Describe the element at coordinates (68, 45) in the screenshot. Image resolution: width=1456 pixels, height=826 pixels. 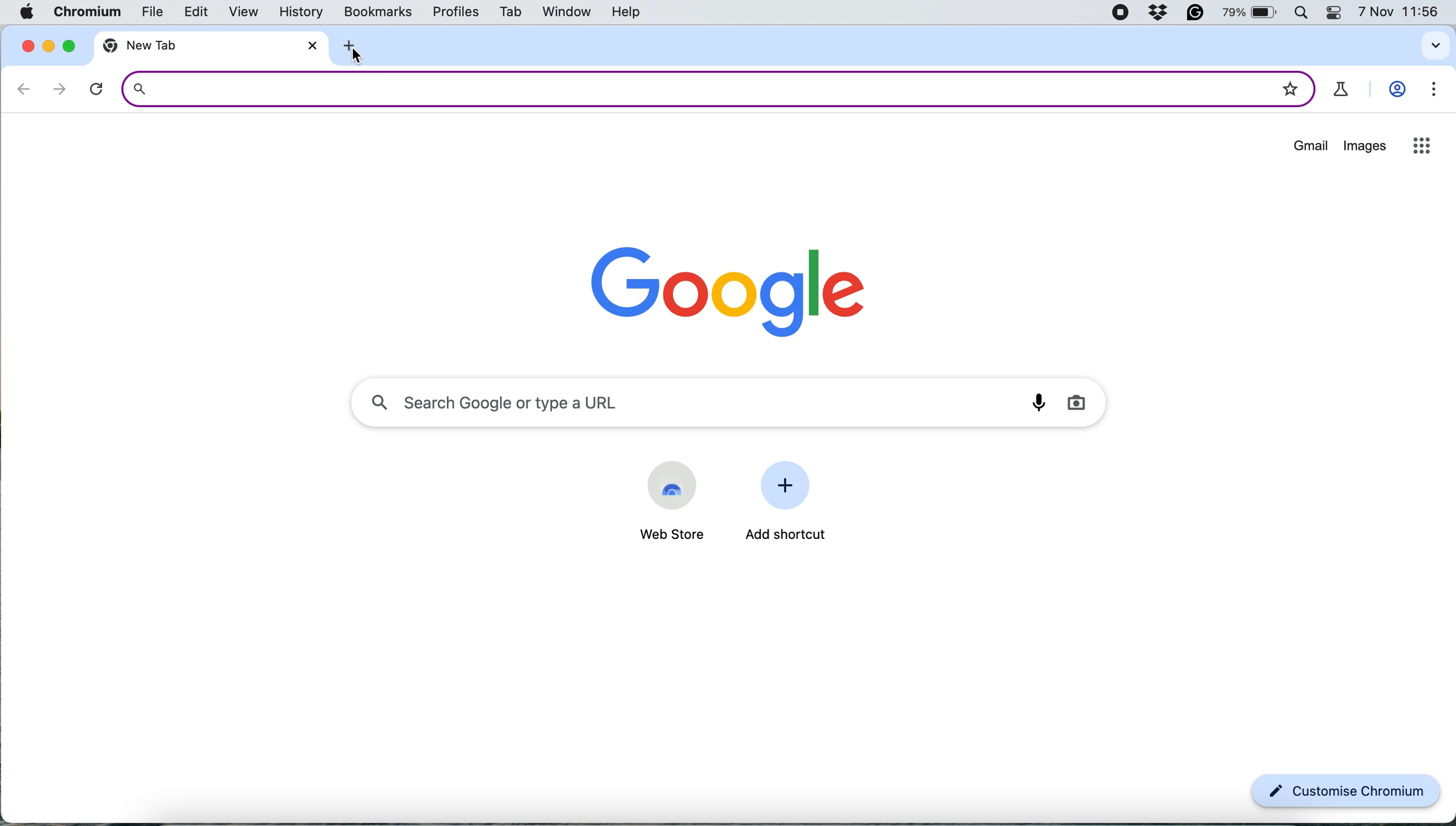
I see `maximise` at that location.